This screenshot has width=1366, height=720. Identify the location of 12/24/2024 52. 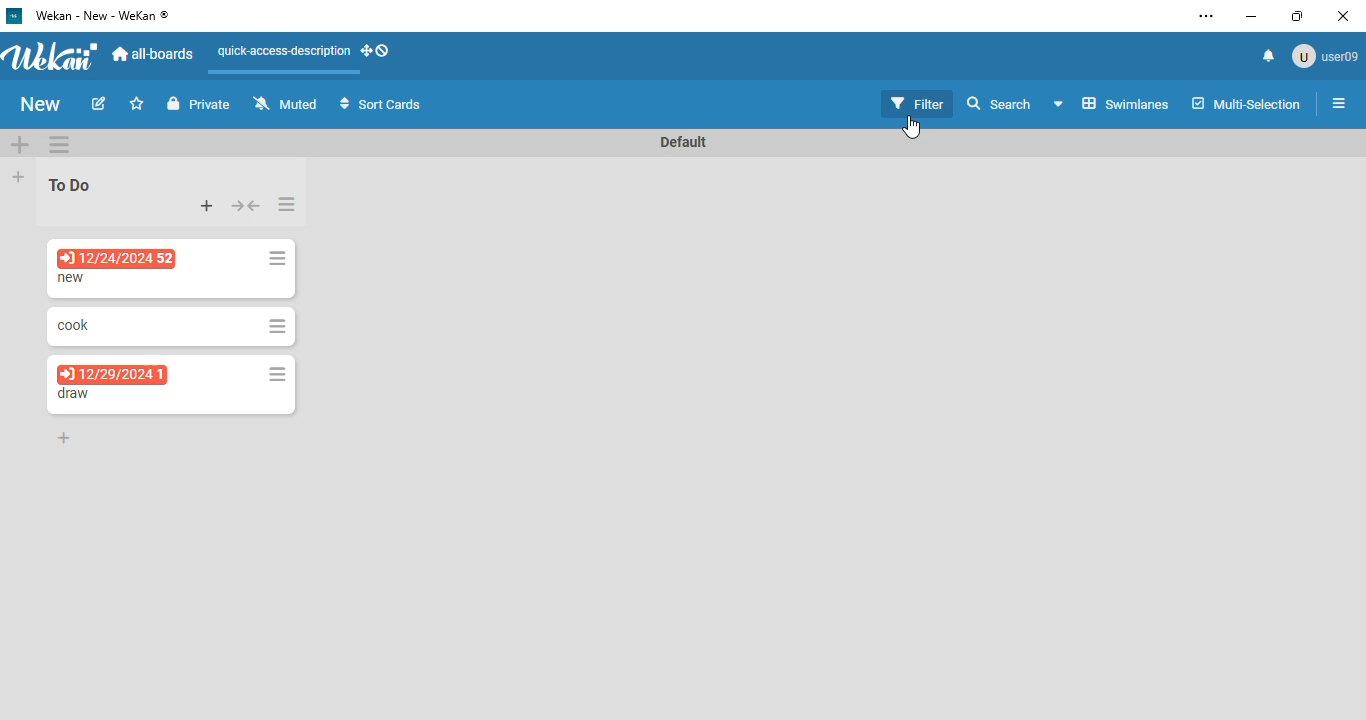
(118, 258).